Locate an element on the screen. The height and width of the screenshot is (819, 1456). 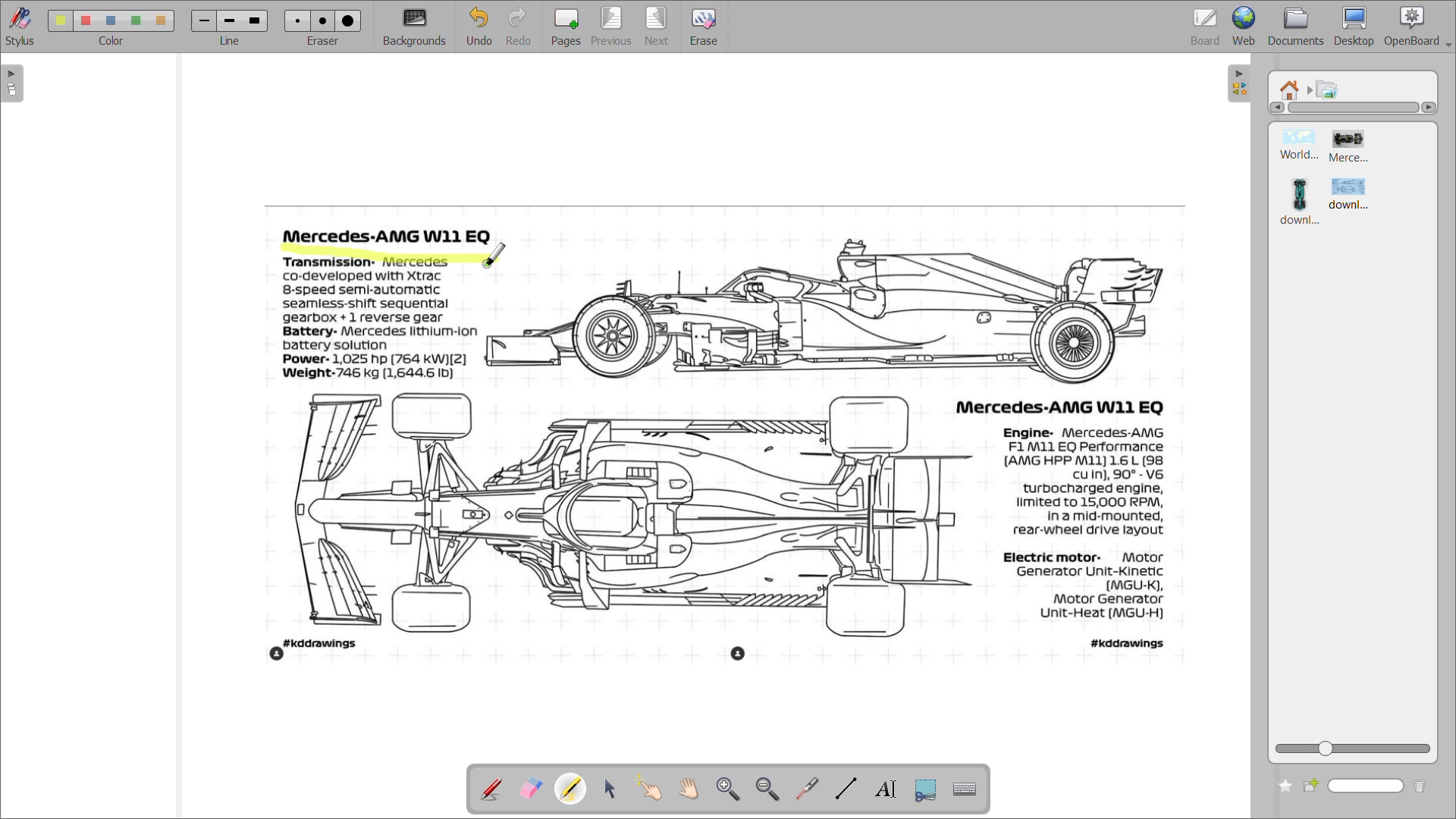
documents is located at coordinates (1299, 27).